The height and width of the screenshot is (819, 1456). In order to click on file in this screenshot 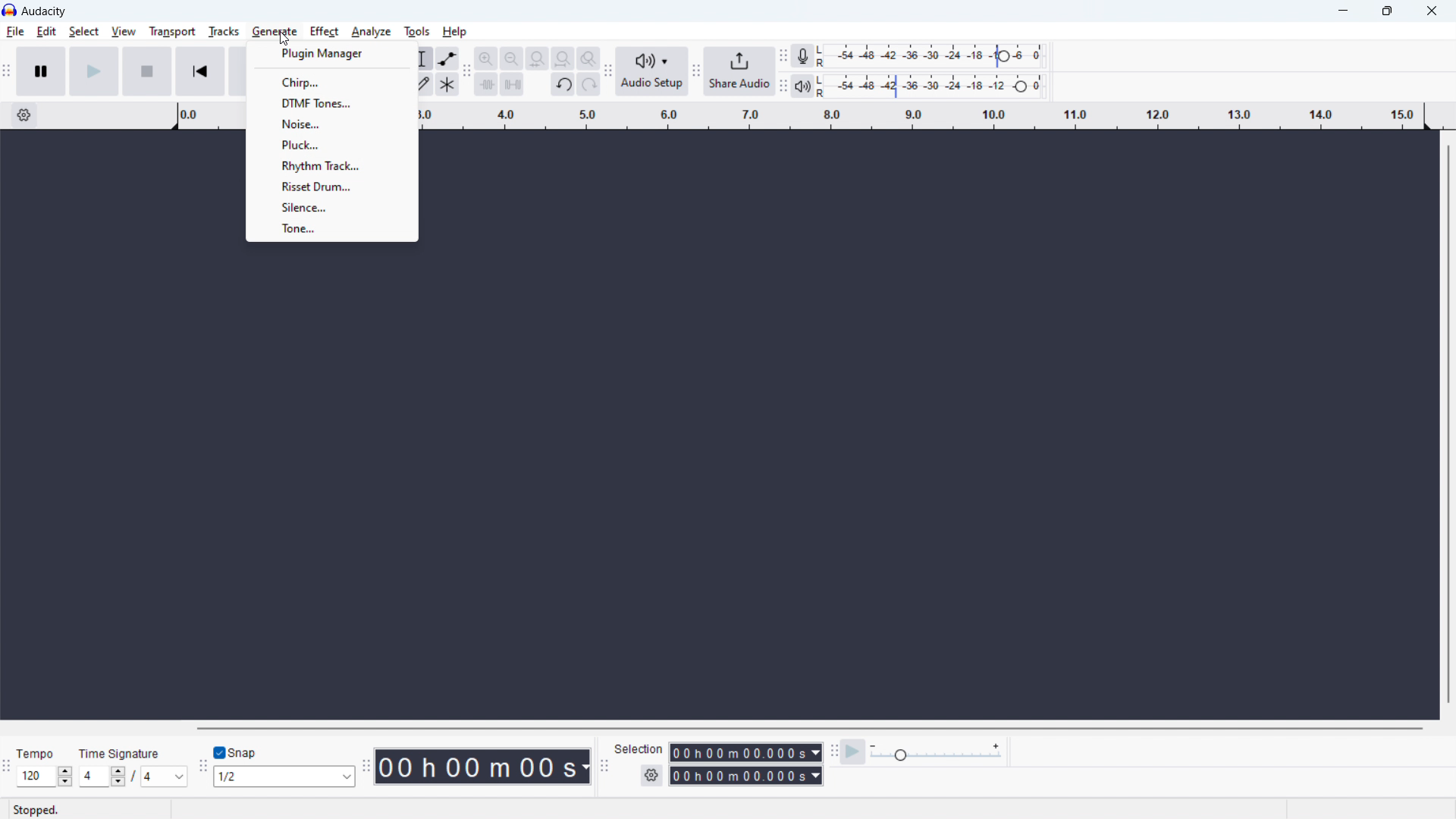, I will do `click(15, 31)`.